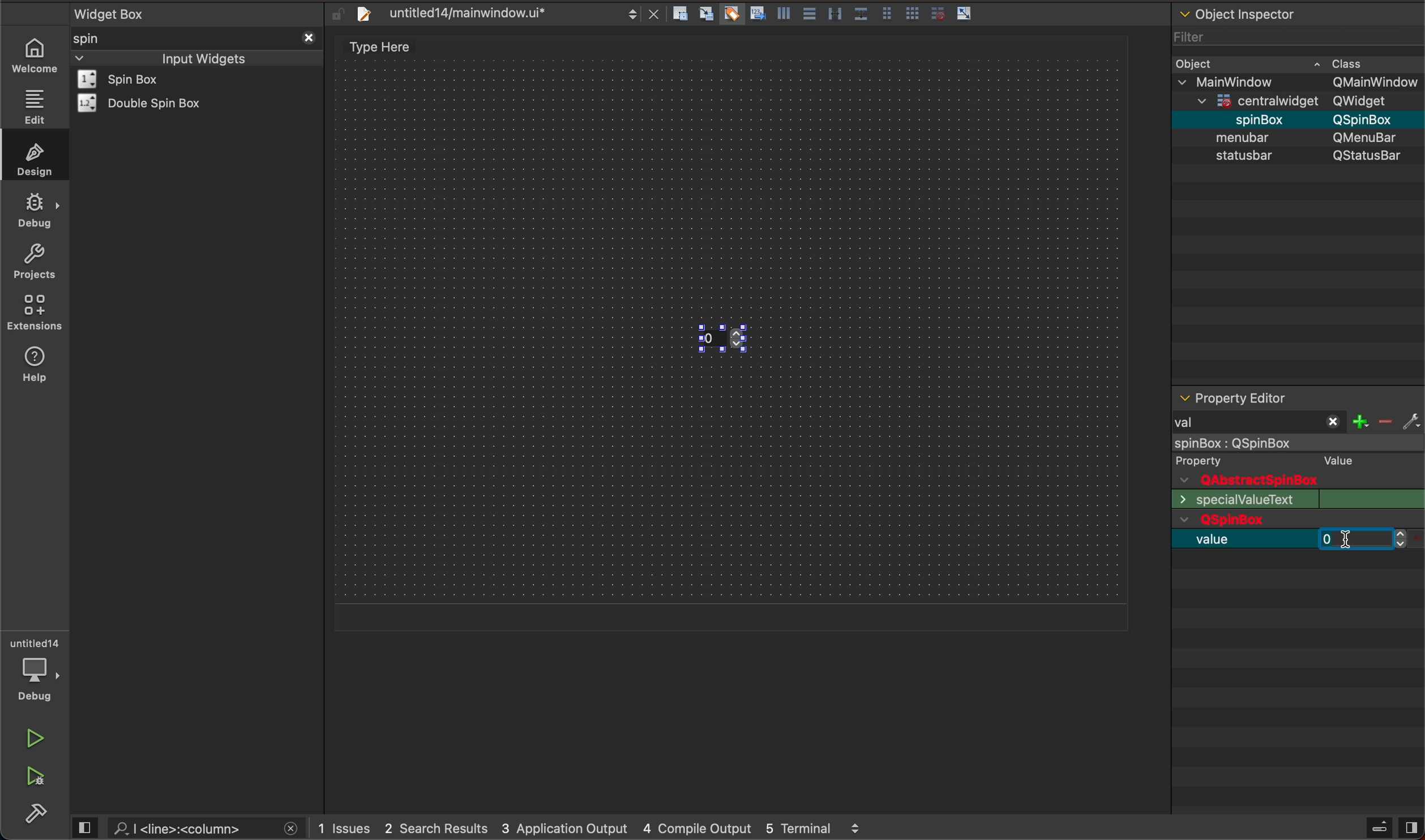 The image size is (1425, 840). I want to click on val filter, so click(1294, 423).